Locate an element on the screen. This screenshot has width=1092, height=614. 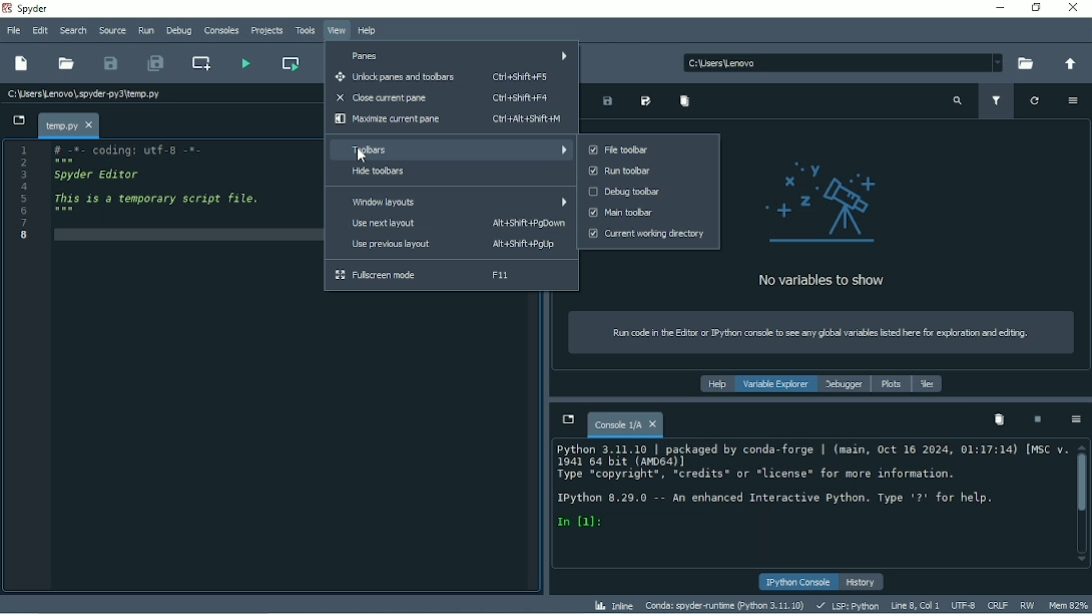
Location is located at coordinates (841, 62).